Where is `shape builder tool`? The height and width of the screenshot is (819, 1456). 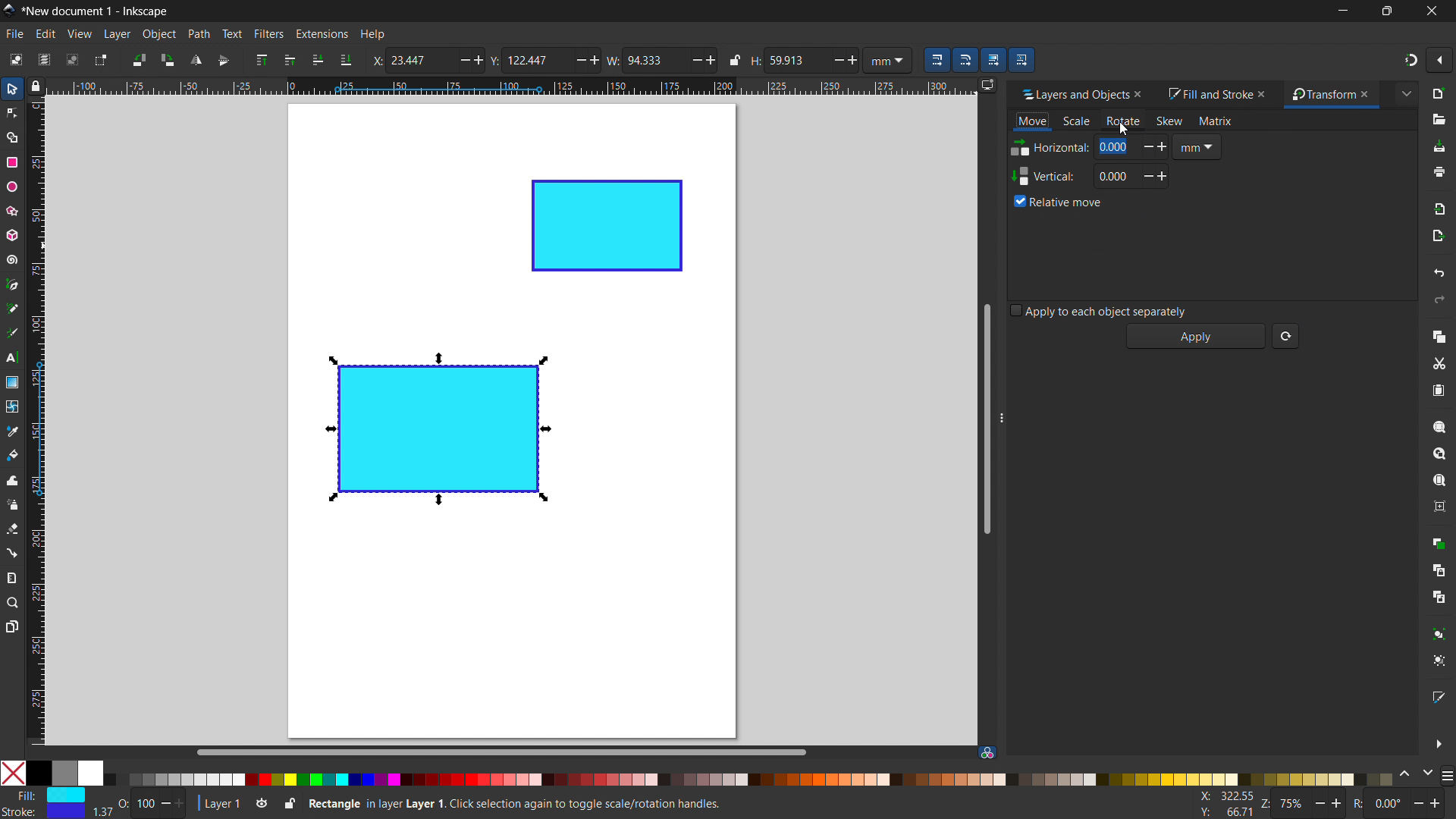 shape builder tool is located at coordinates (10, 136).